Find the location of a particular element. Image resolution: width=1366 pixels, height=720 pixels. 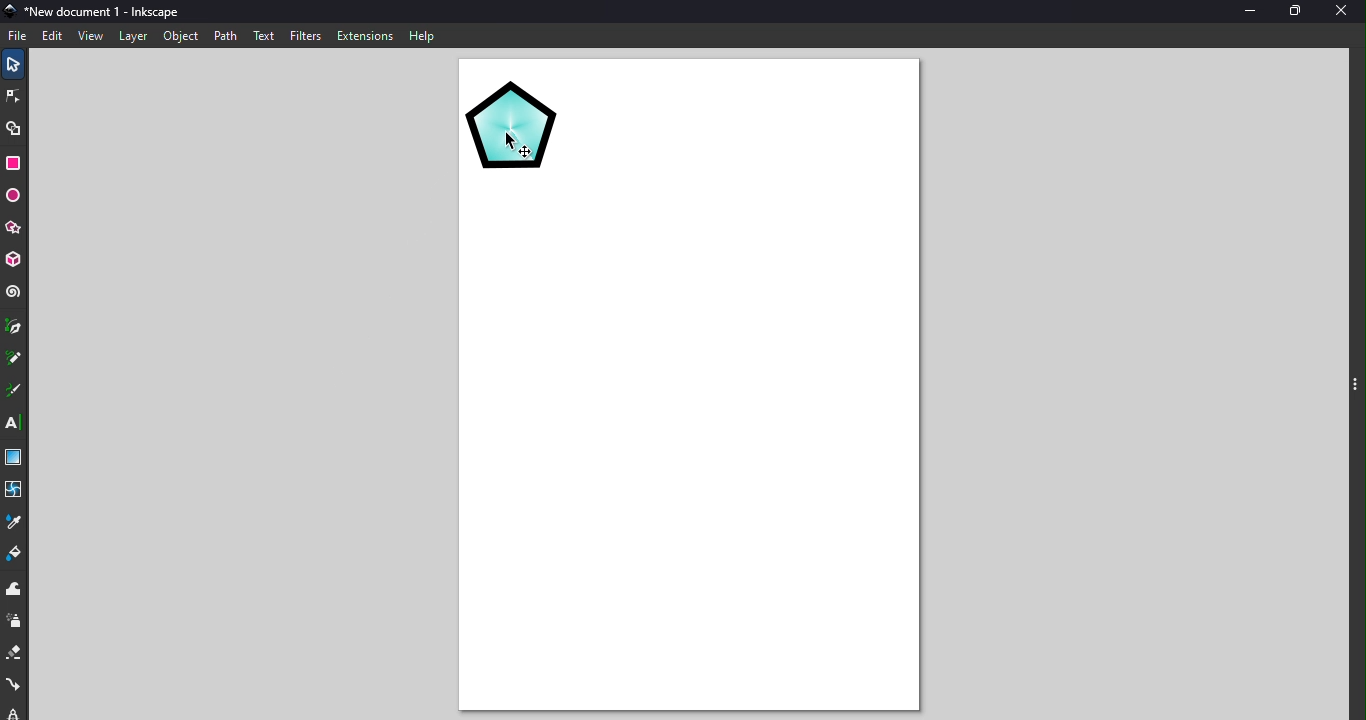

Help is located at coordinates (422, 35).